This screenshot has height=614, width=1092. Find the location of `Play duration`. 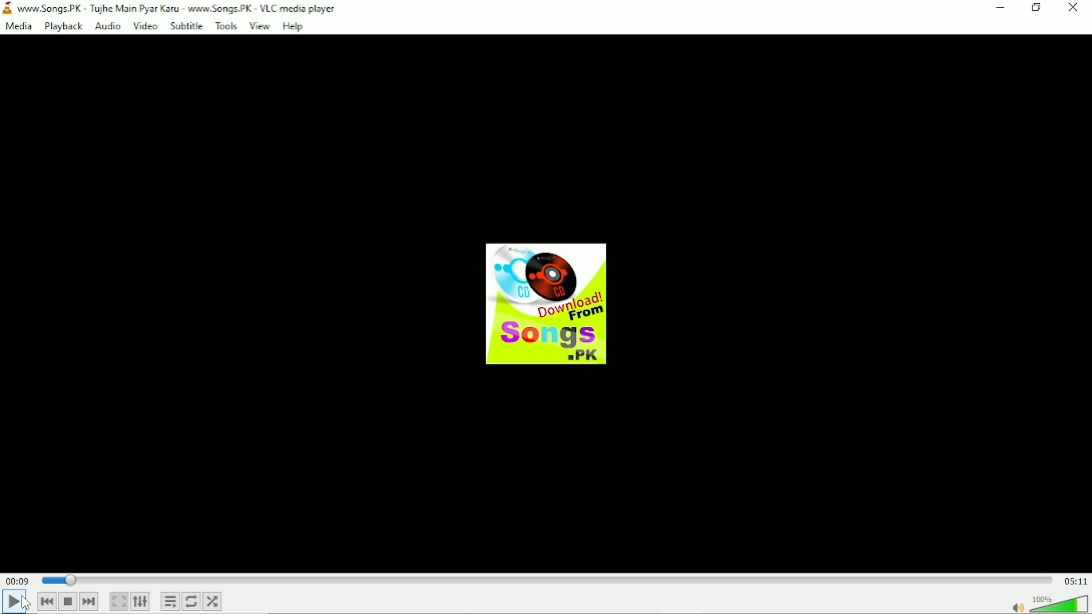

Play duration is located at coordinates (546, 580).